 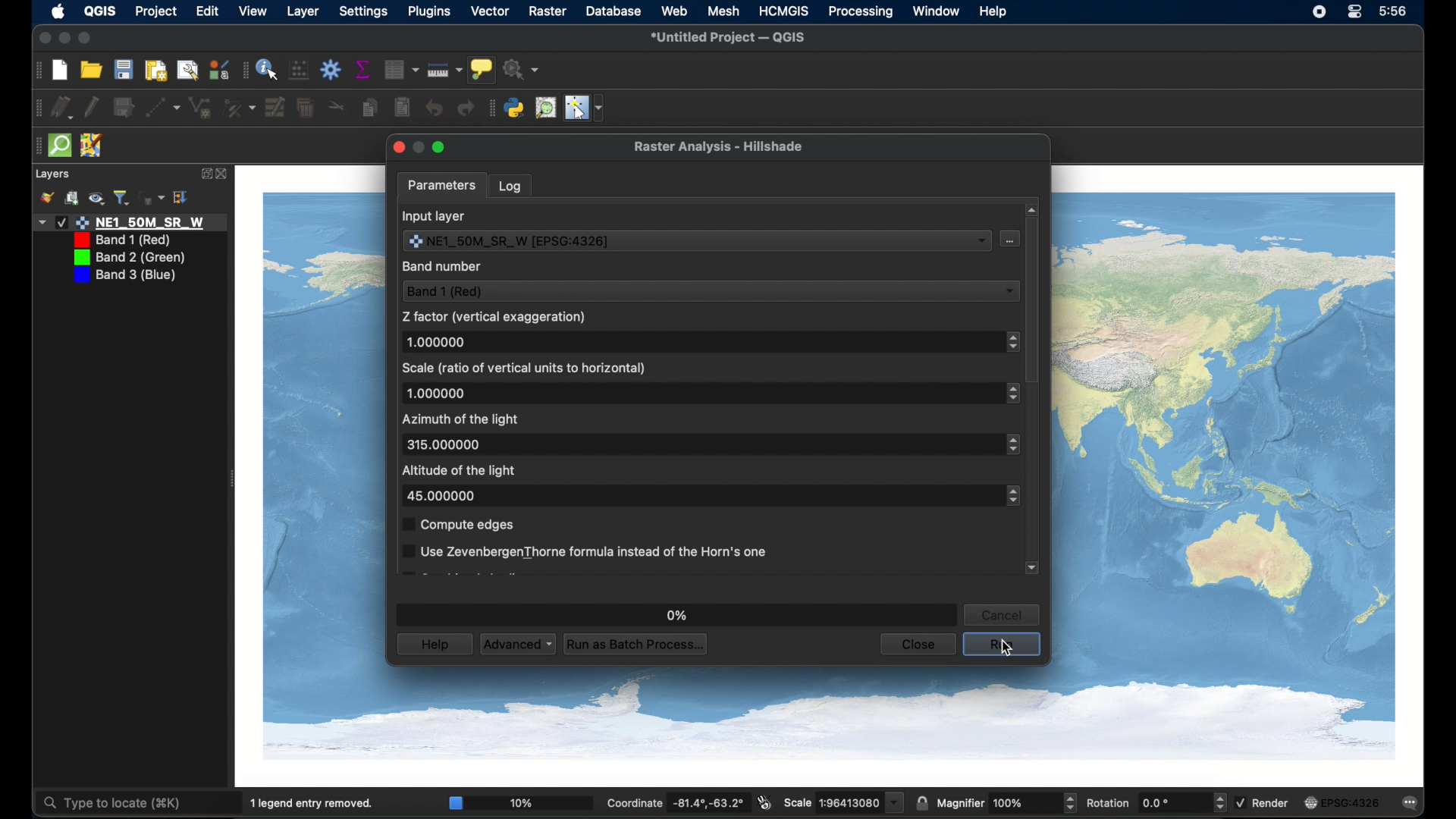 What do you see at coordinates (205, 174) in the screenshot?
I see `expand ` at bounding box center [205, 174].